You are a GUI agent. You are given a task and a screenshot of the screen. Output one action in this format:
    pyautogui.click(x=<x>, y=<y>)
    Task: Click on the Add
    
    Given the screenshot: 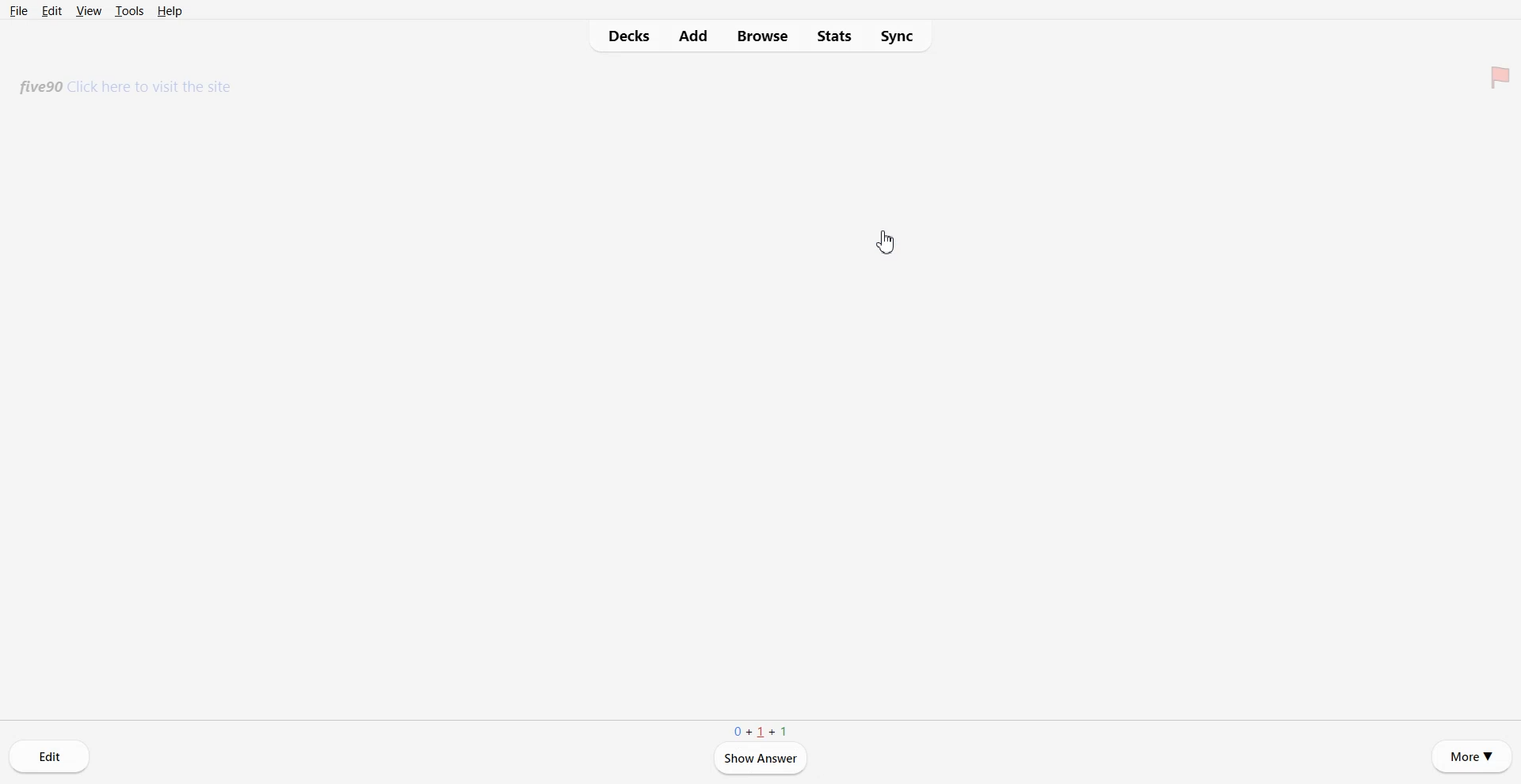 What is the action you would take?
    pyautogui.click(x=693, y=36)
    